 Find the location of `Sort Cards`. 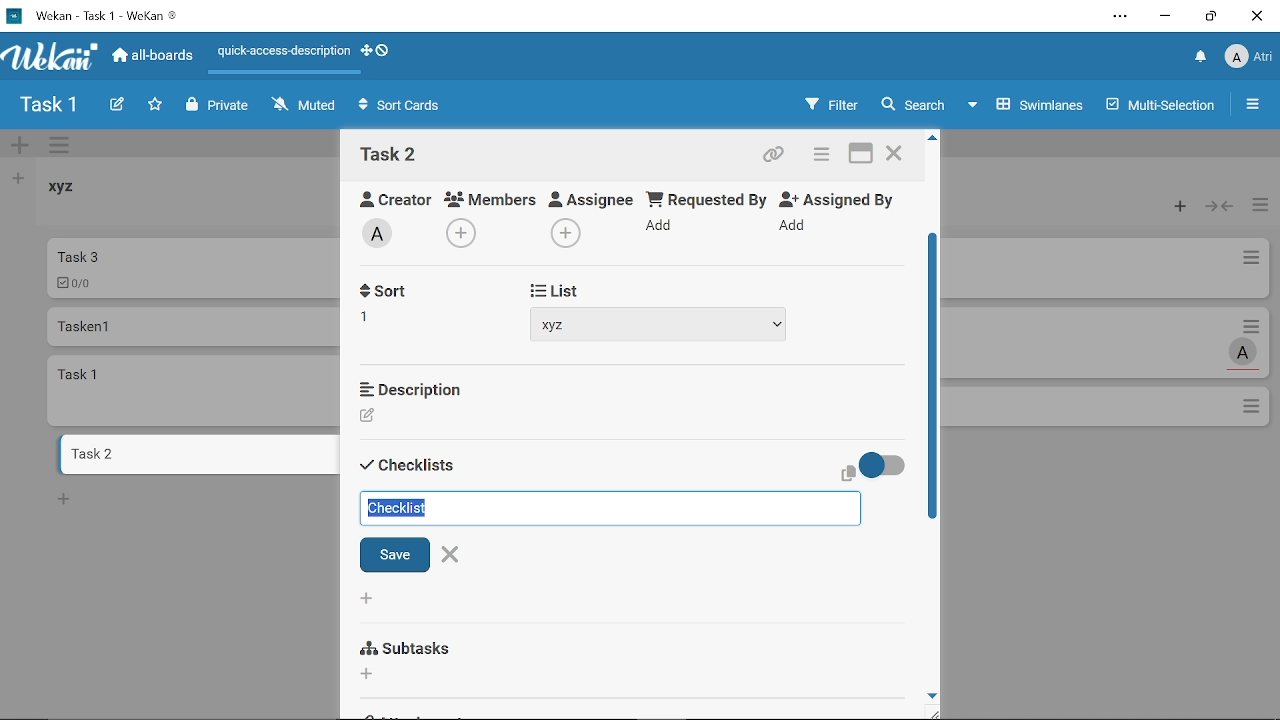

Sort Cards is located at coordinates (404, 107).